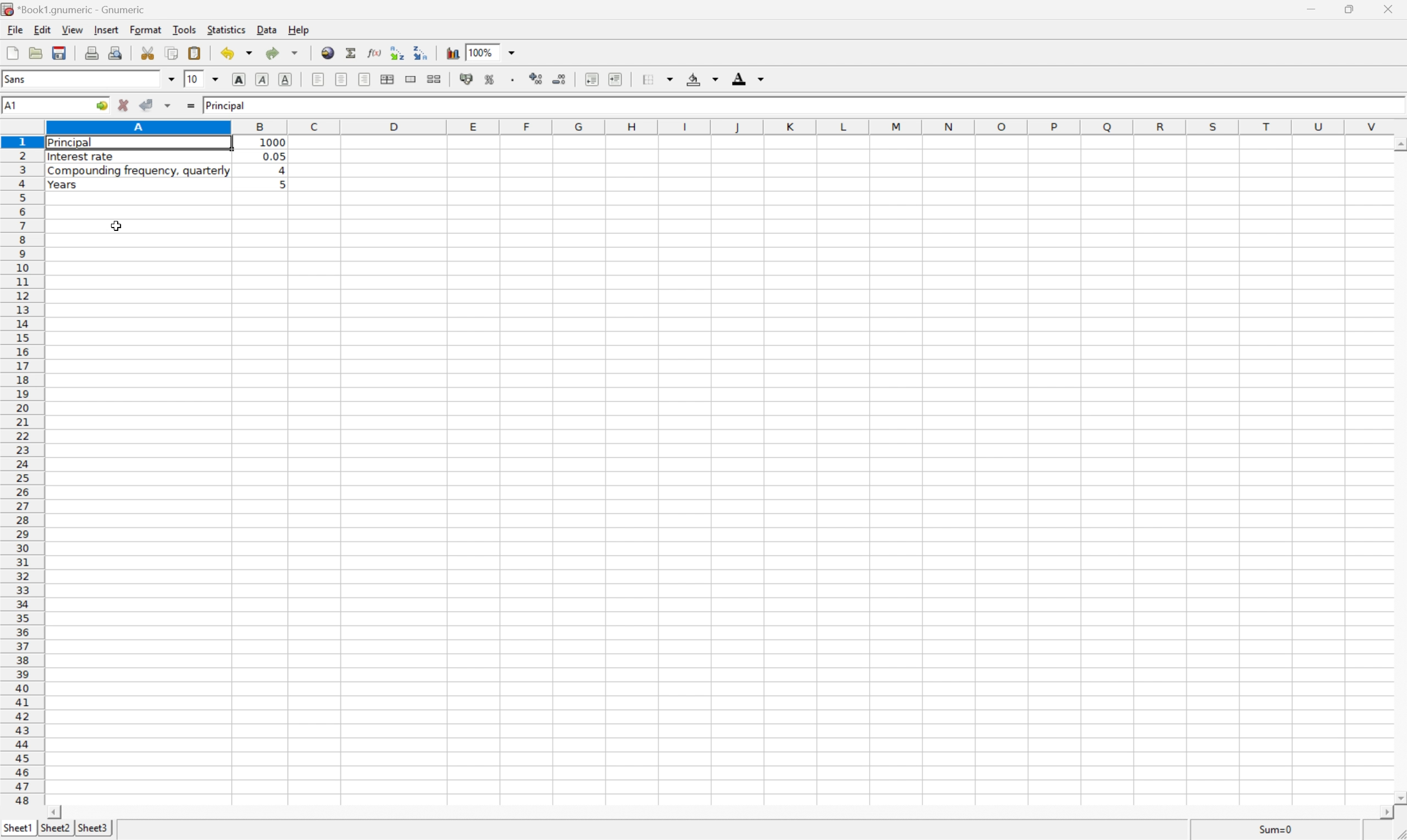 The width and height of the screenshot is (1407, 840). Describe the element at coordinates (93, 827) in the screenshot. I see `sheet3` at that location.